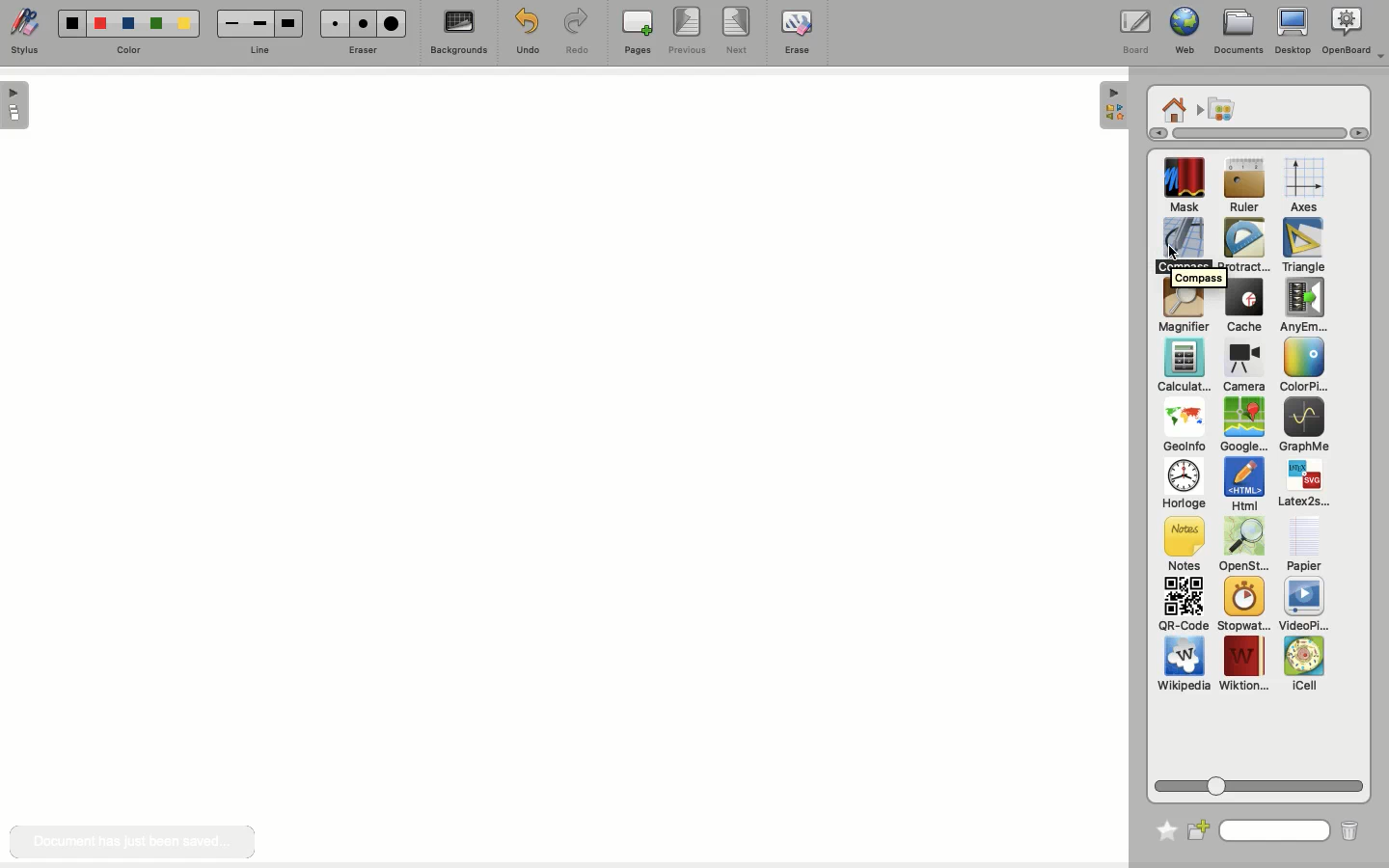 The width and height of the screenshot is (1389, 868). Describe the element at coordinates (155, 25) in the screenshot. I see `color 4` at that location.